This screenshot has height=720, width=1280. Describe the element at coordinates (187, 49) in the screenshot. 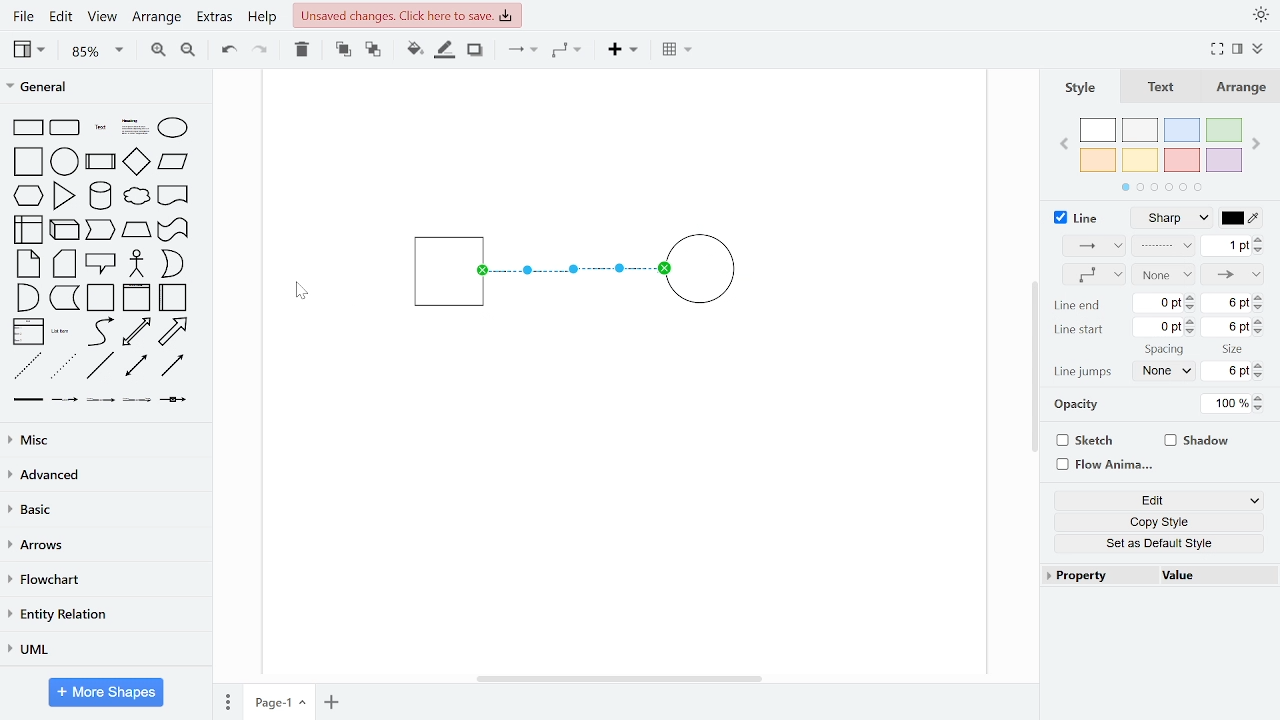

I see `zoom out` at that location.